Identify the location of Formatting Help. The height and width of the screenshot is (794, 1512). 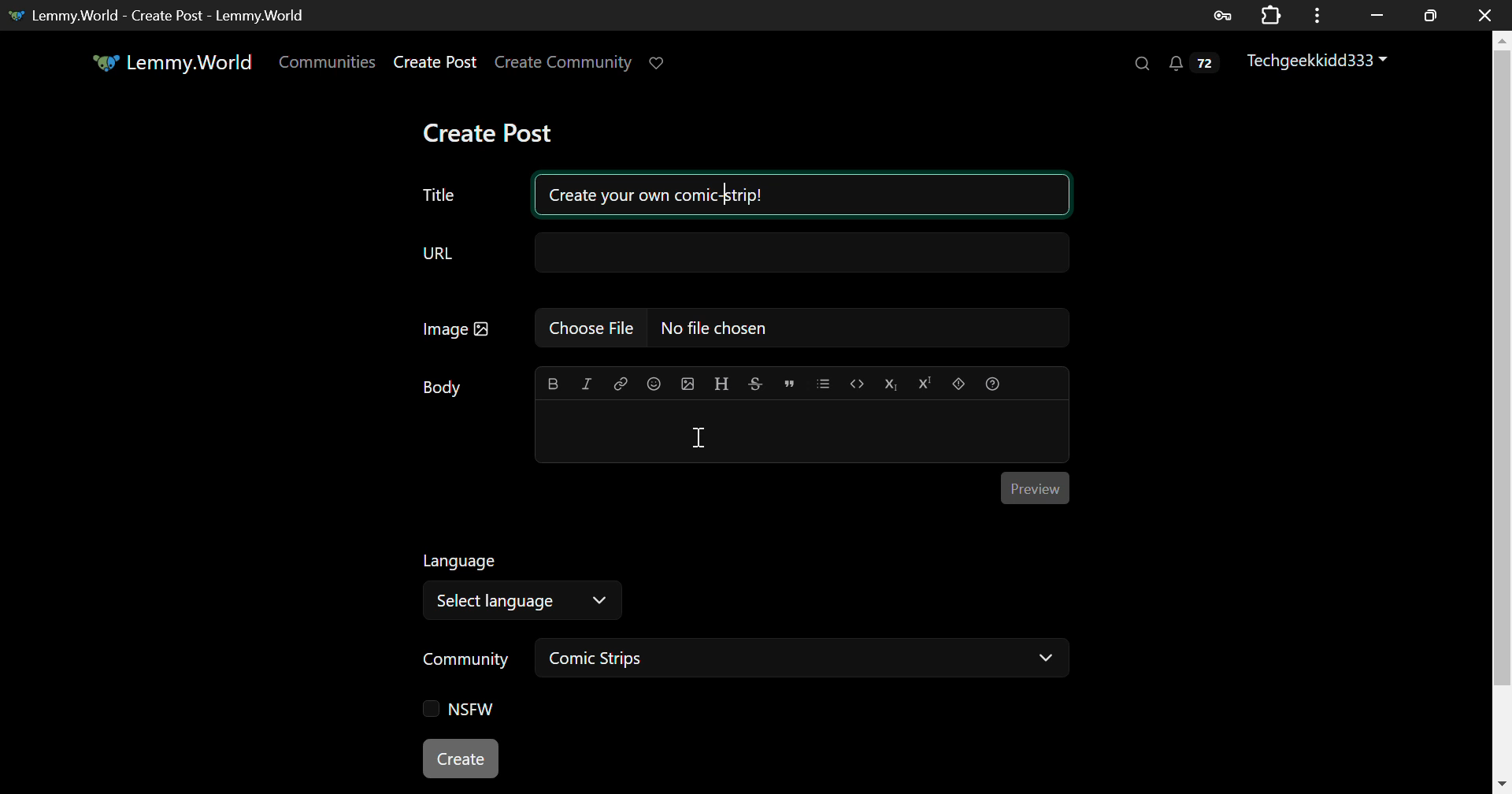
(993, 384).